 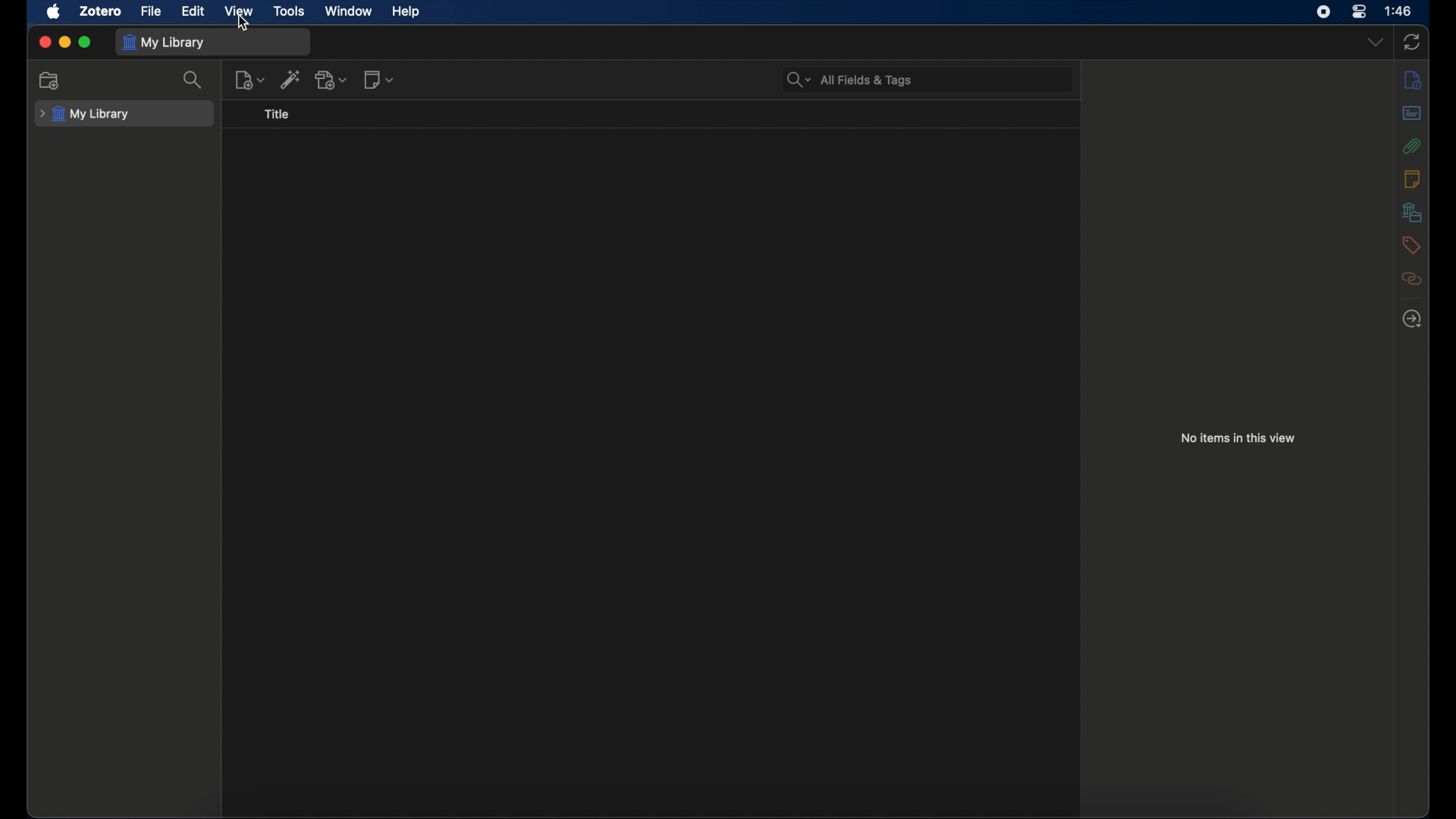 I want to click on close, so click(x=42, y=42).